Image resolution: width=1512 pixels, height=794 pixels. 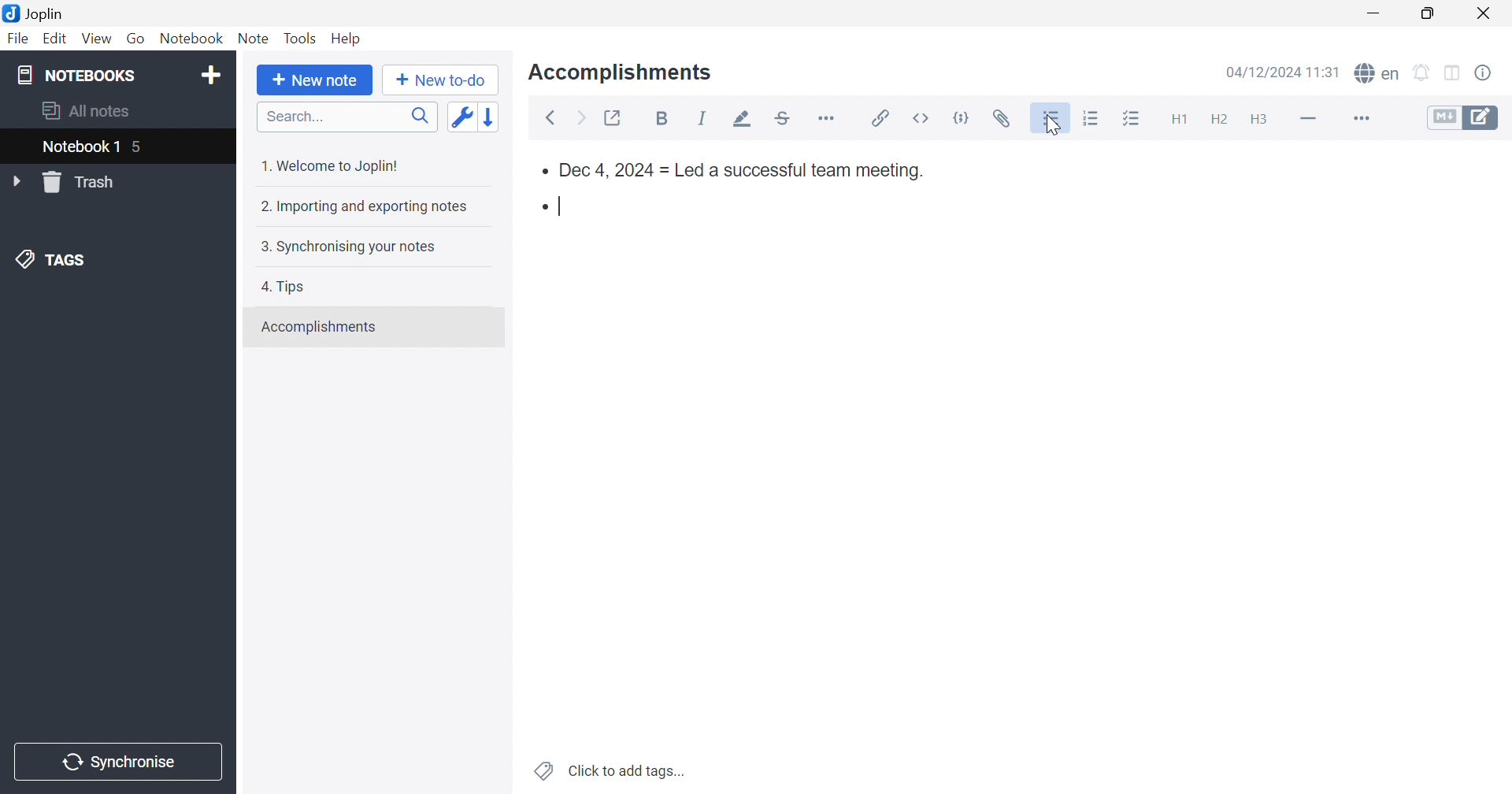 I want to click on Heading 2, so click(x=1217, y=117).